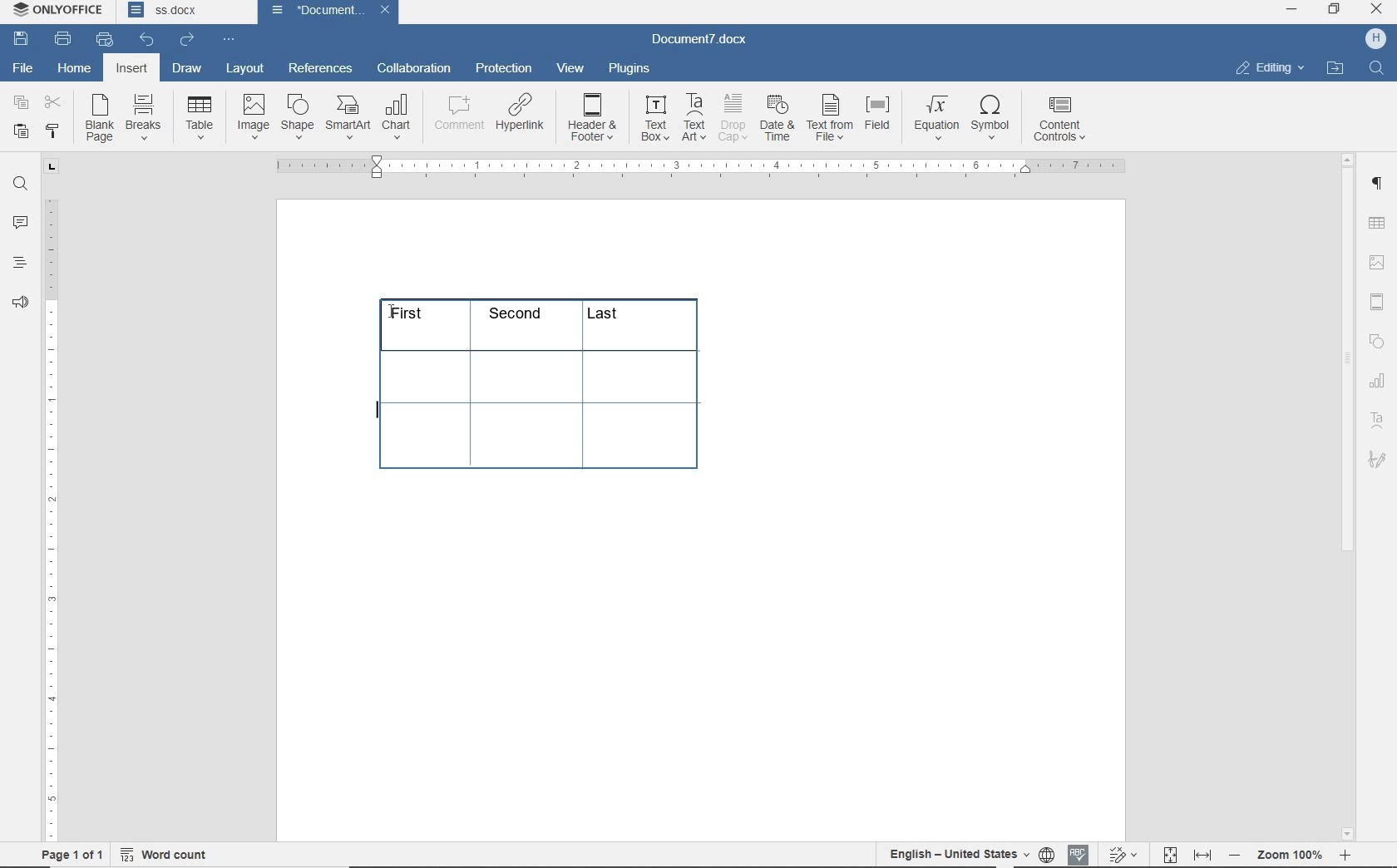  Describe the element at coordinates (880, 118) in the screenshot. I see `field` at that location.